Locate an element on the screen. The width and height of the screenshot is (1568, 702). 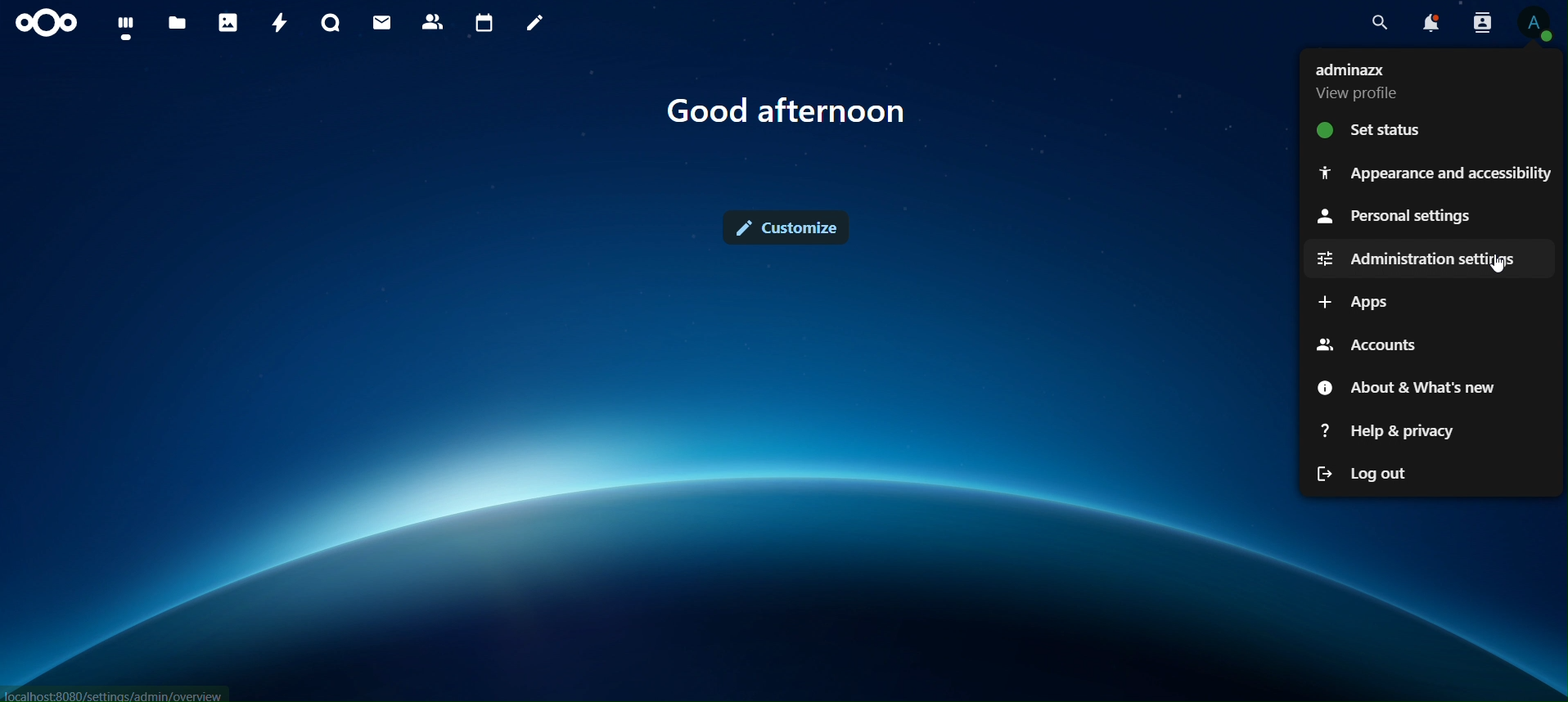
calendar is located at coordinates (487, 23).